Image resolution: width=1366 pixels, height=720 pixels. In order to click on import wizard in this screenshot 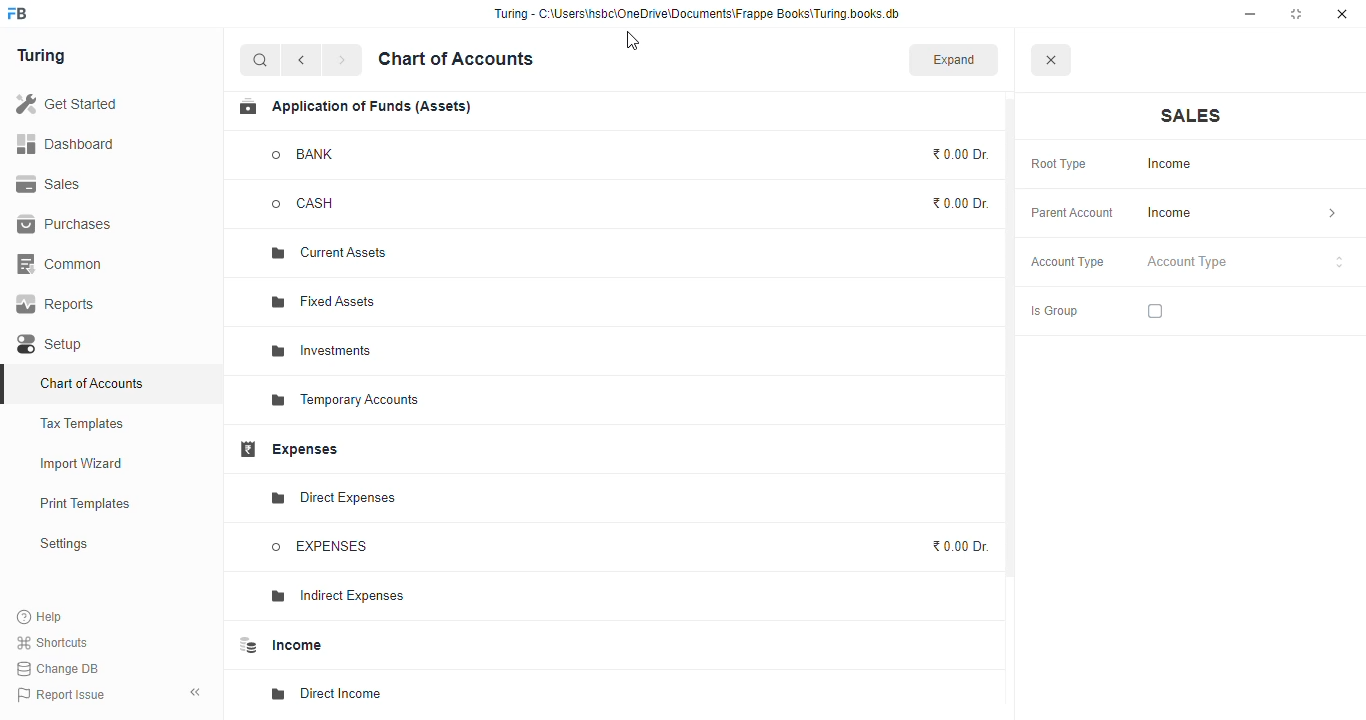, I will do `click(82, 464)`.